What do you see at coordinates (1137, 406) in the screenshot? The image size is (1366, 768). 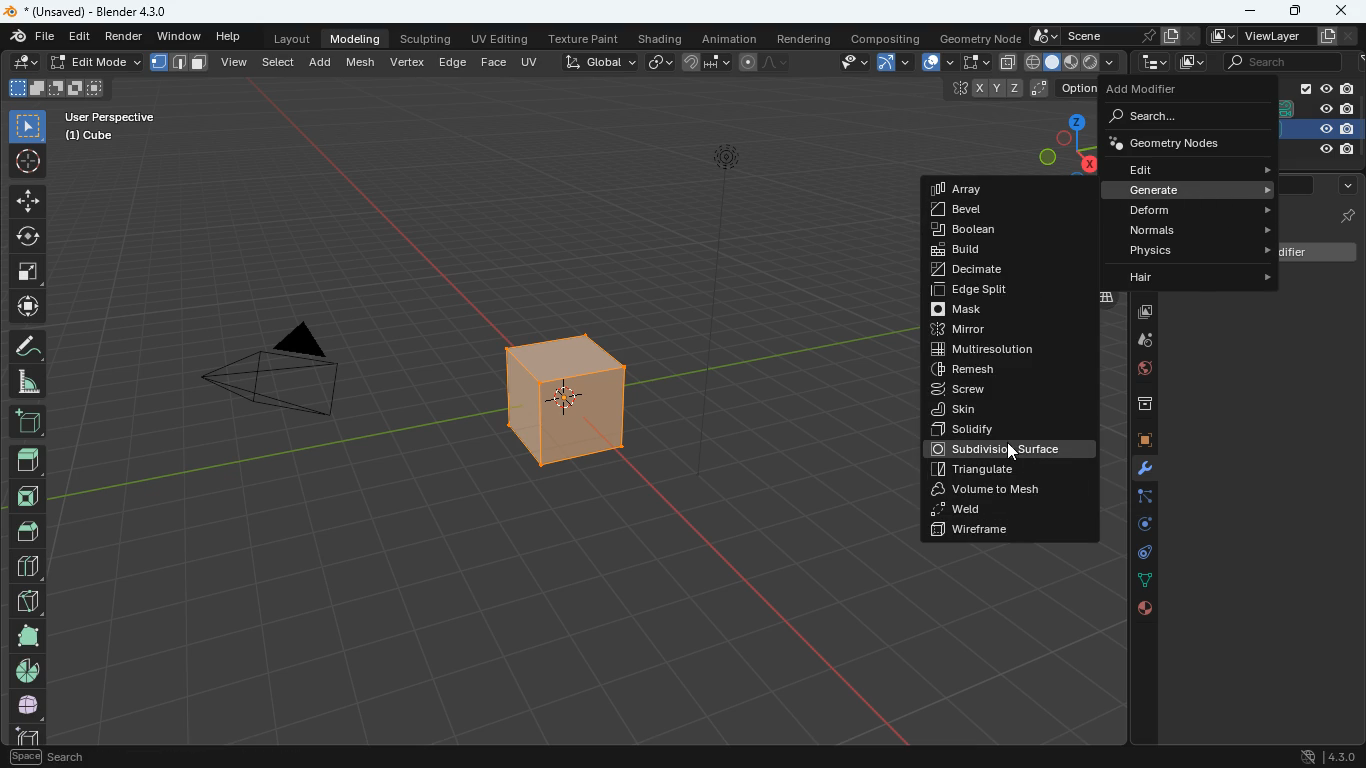 I see `archieve` at bounding box center [1137, 406].